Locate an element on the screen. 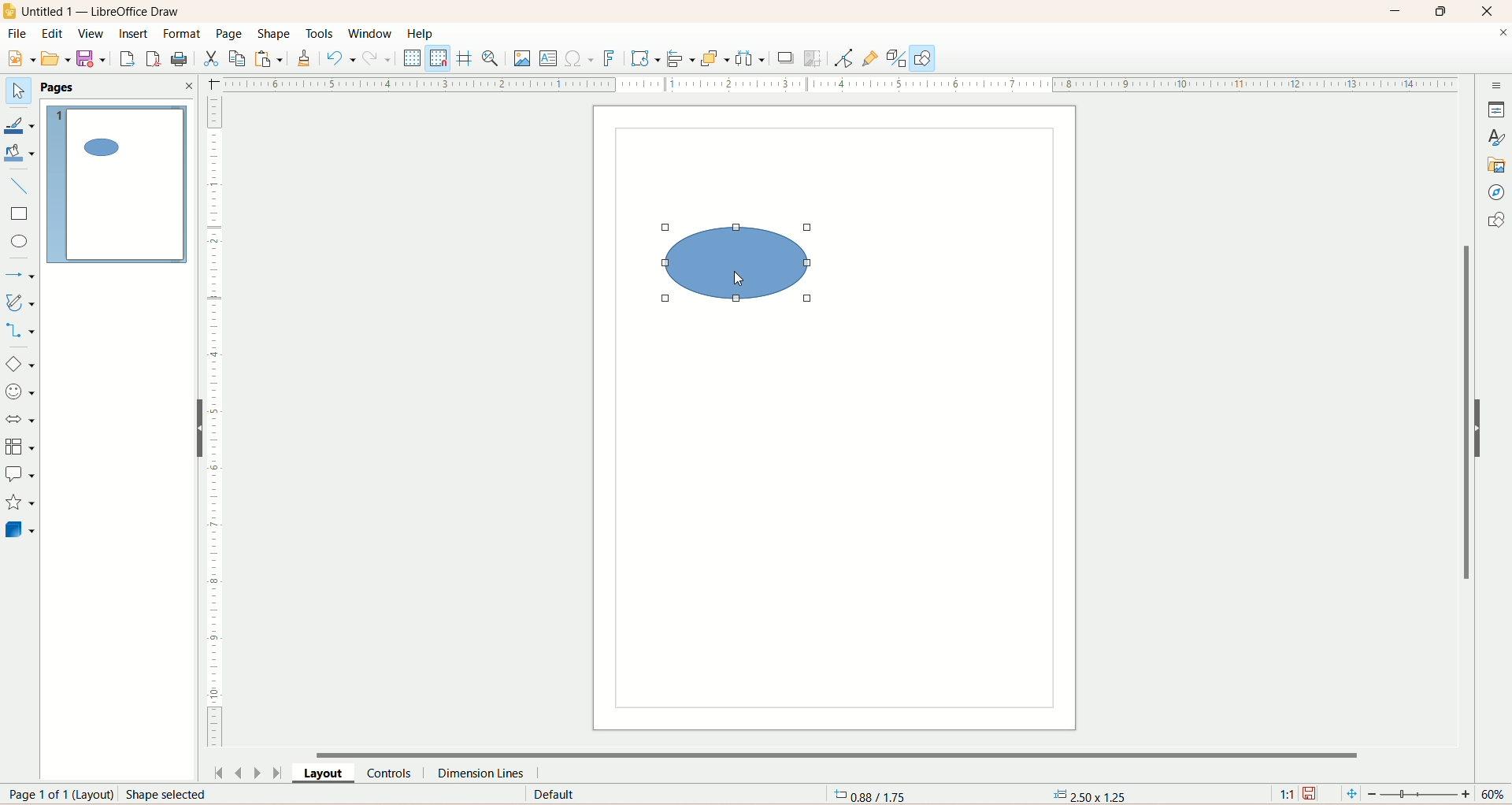  ellipse is located at coordinates (19, 240).